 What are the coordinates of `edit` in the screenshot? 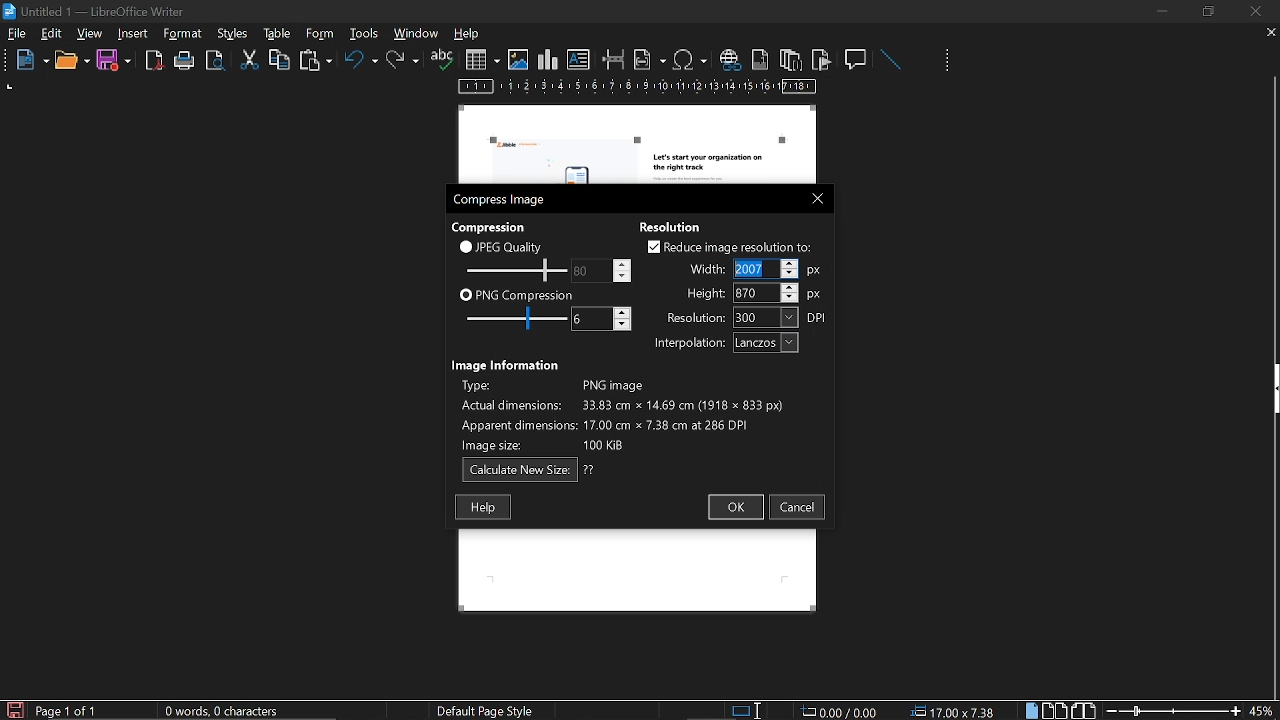 It's located at (52, 35).